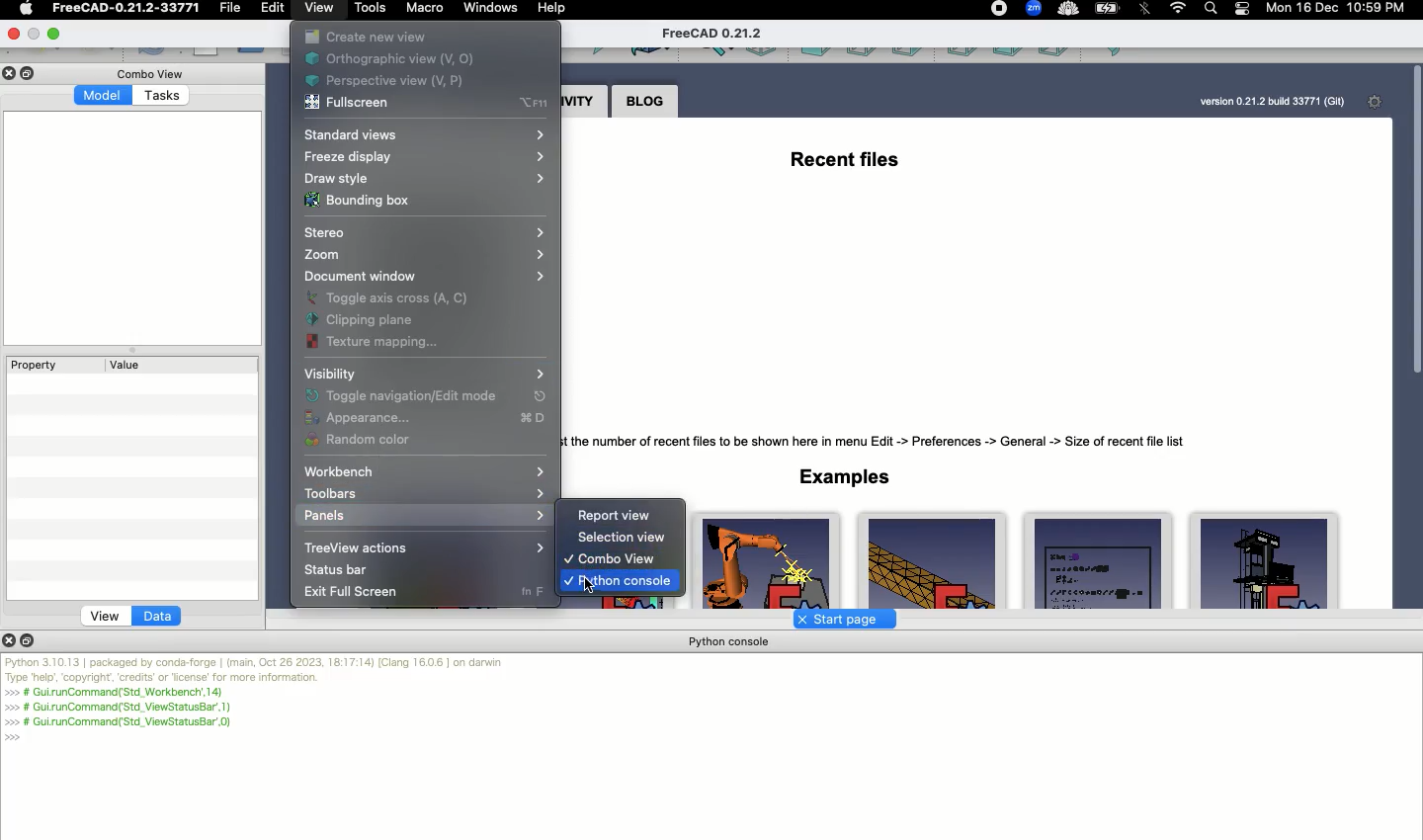 The width and height of the screenshot is (1423, 840). What do you see at coordinates (1108, 9) in the screenshot?
I see `Charge` at bounding box center [1108, 9].